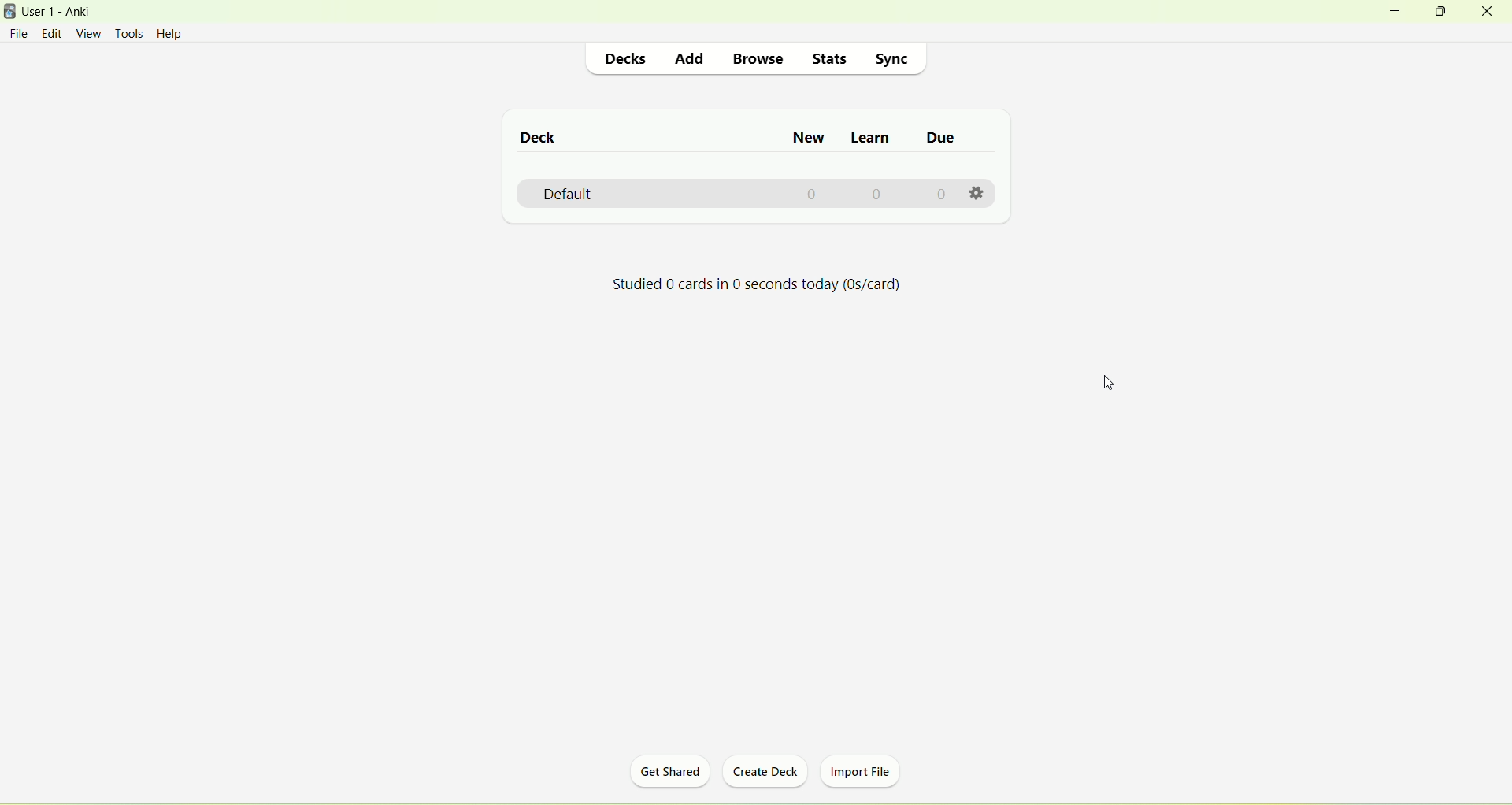  Describe the element at coordinates (941, 139) in the screenshot. I see `due` at that location.